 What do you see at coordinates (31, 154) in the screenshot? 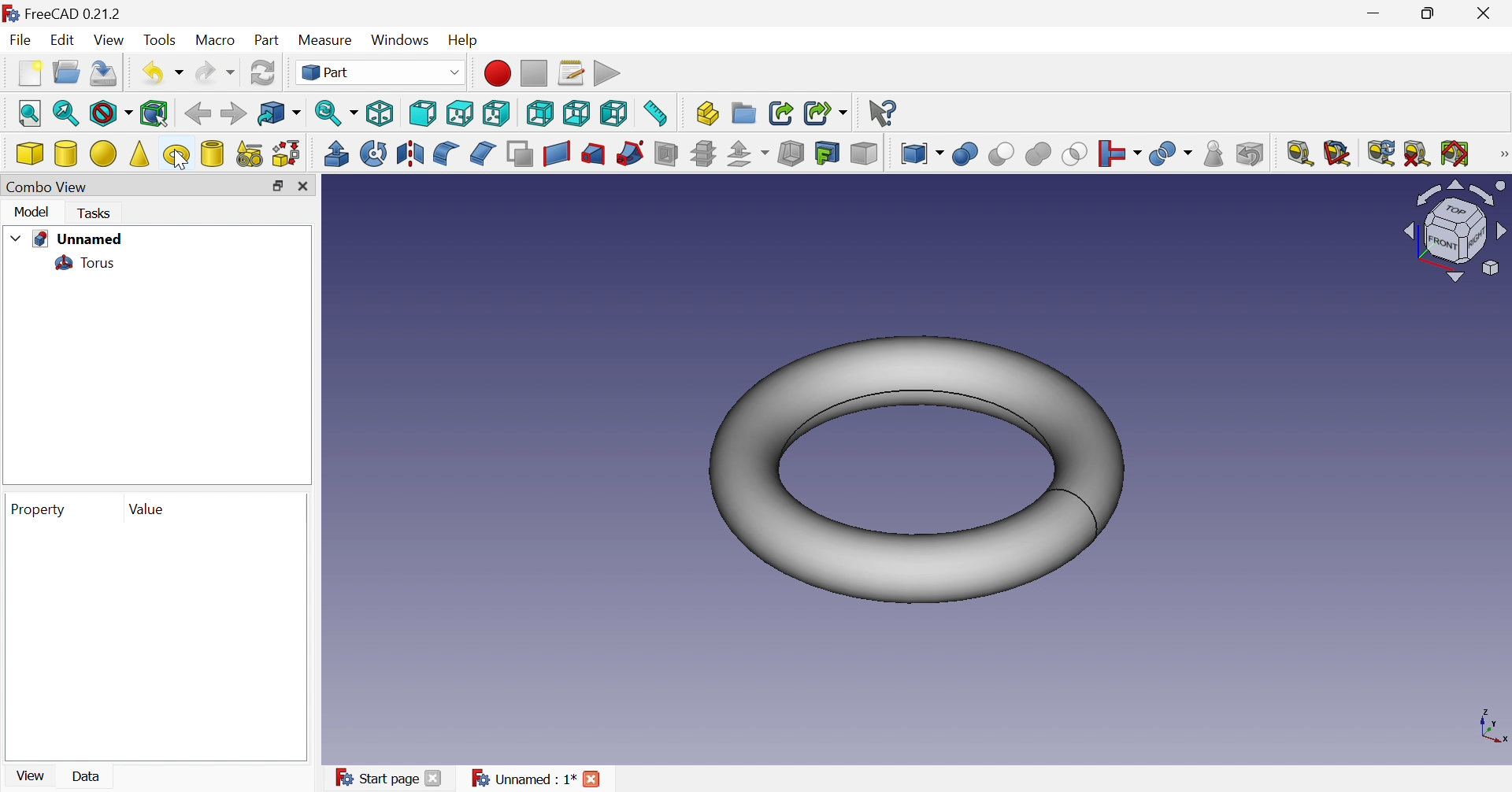
I see `Cube` at bounding box center [31, 154].